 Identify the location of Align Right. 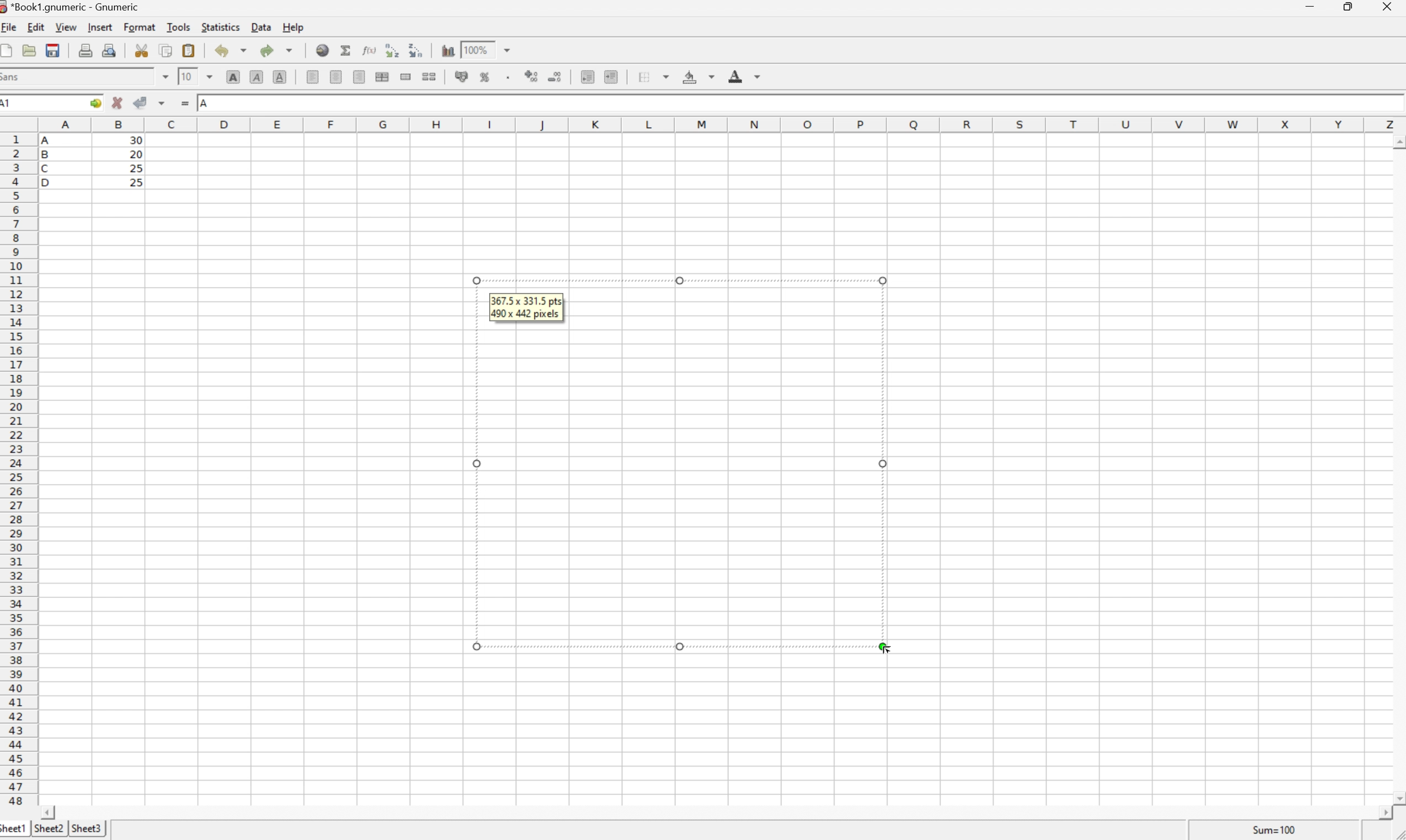
(360, 77).